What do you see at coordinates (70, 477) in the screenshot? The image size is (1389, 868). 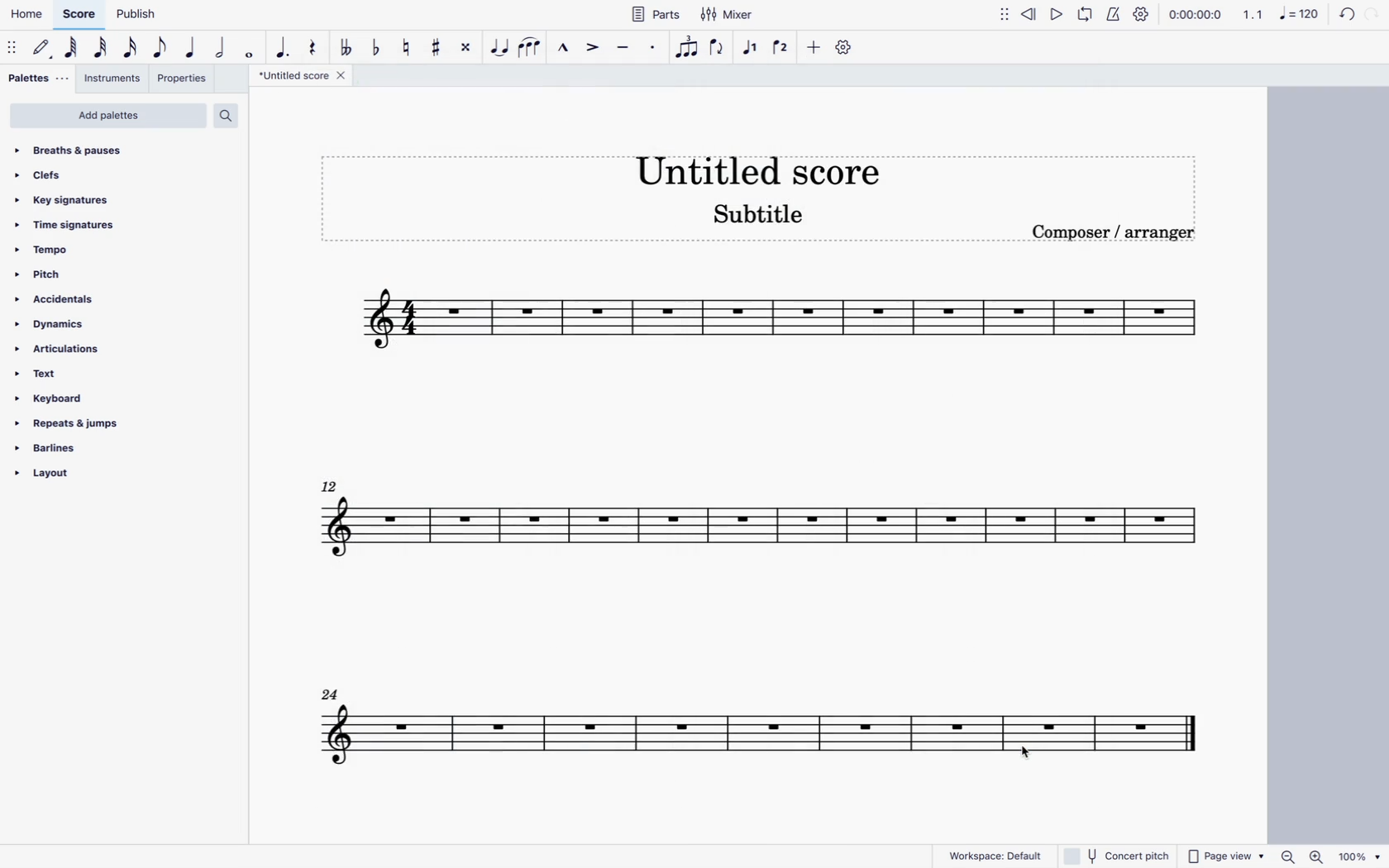 I see `layout` at bounding box center [70, 477].